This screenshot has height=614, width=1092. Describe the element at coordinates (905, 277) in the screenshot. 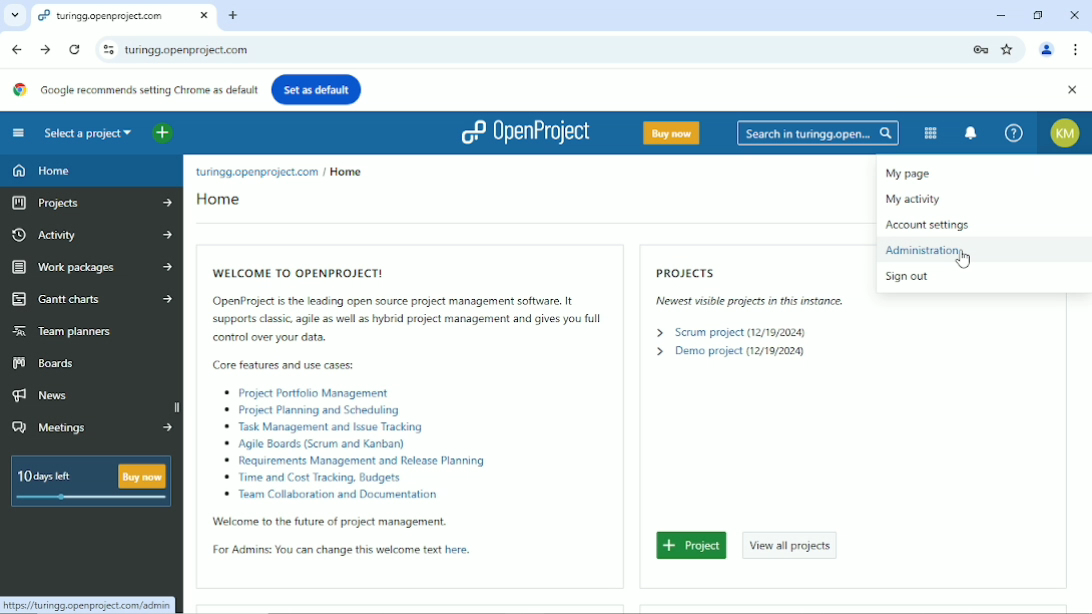

I see `Sign out` at that location.